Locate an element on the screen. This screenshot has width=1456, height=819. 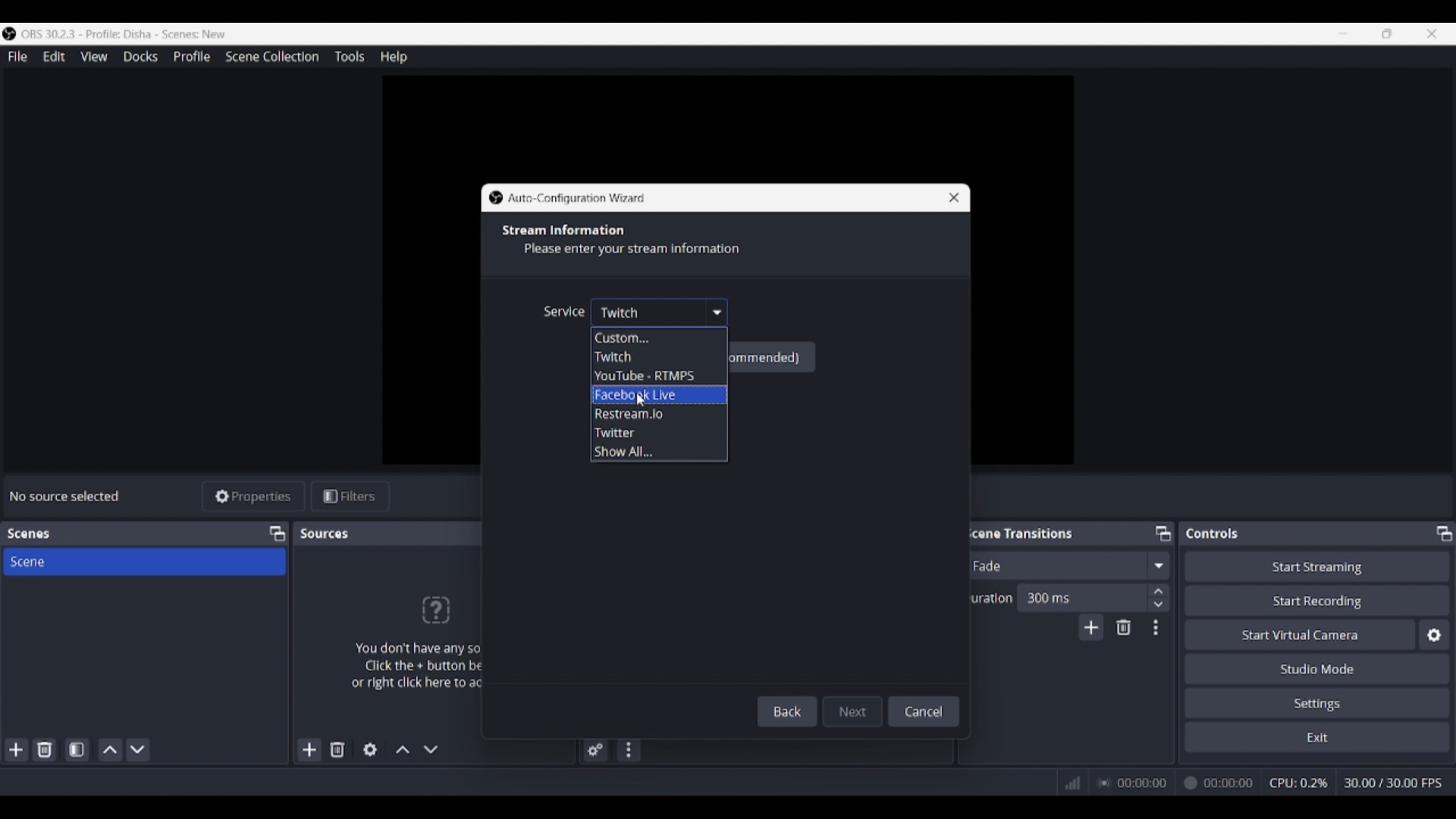
Close is located at coordinates (948, 196).